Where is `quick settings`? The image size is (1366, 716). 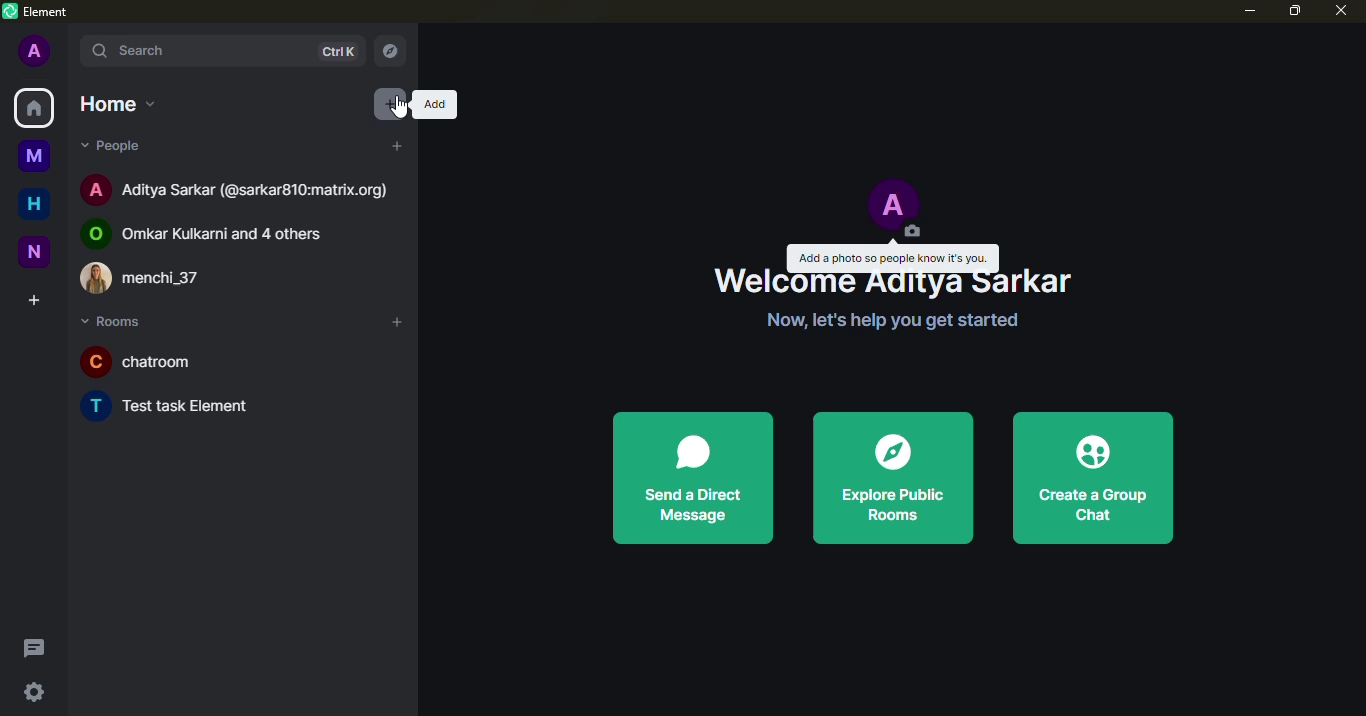
quick settings is located at coordinates (35, 695).